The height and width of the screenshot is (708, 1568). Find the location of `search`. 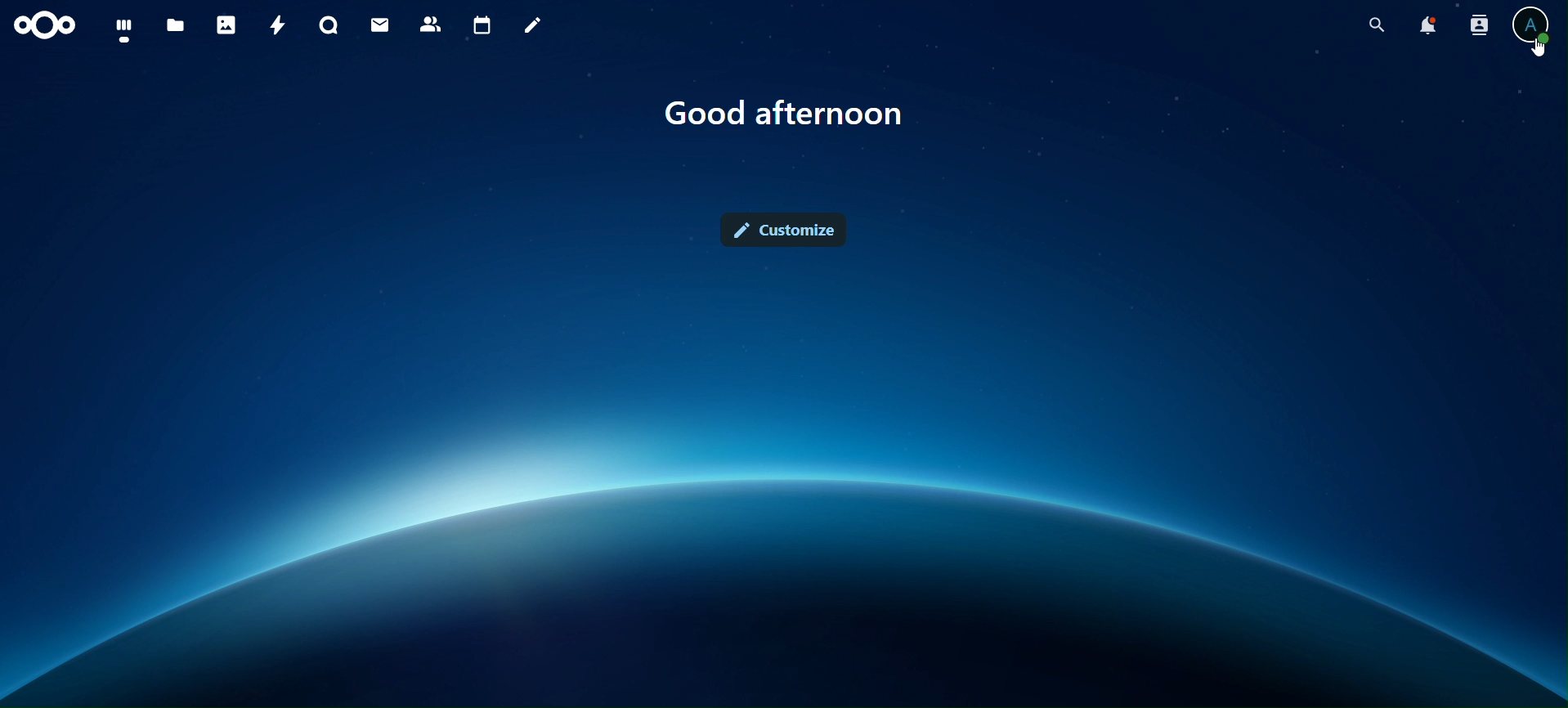

search is located at coordinates (1375, 21).